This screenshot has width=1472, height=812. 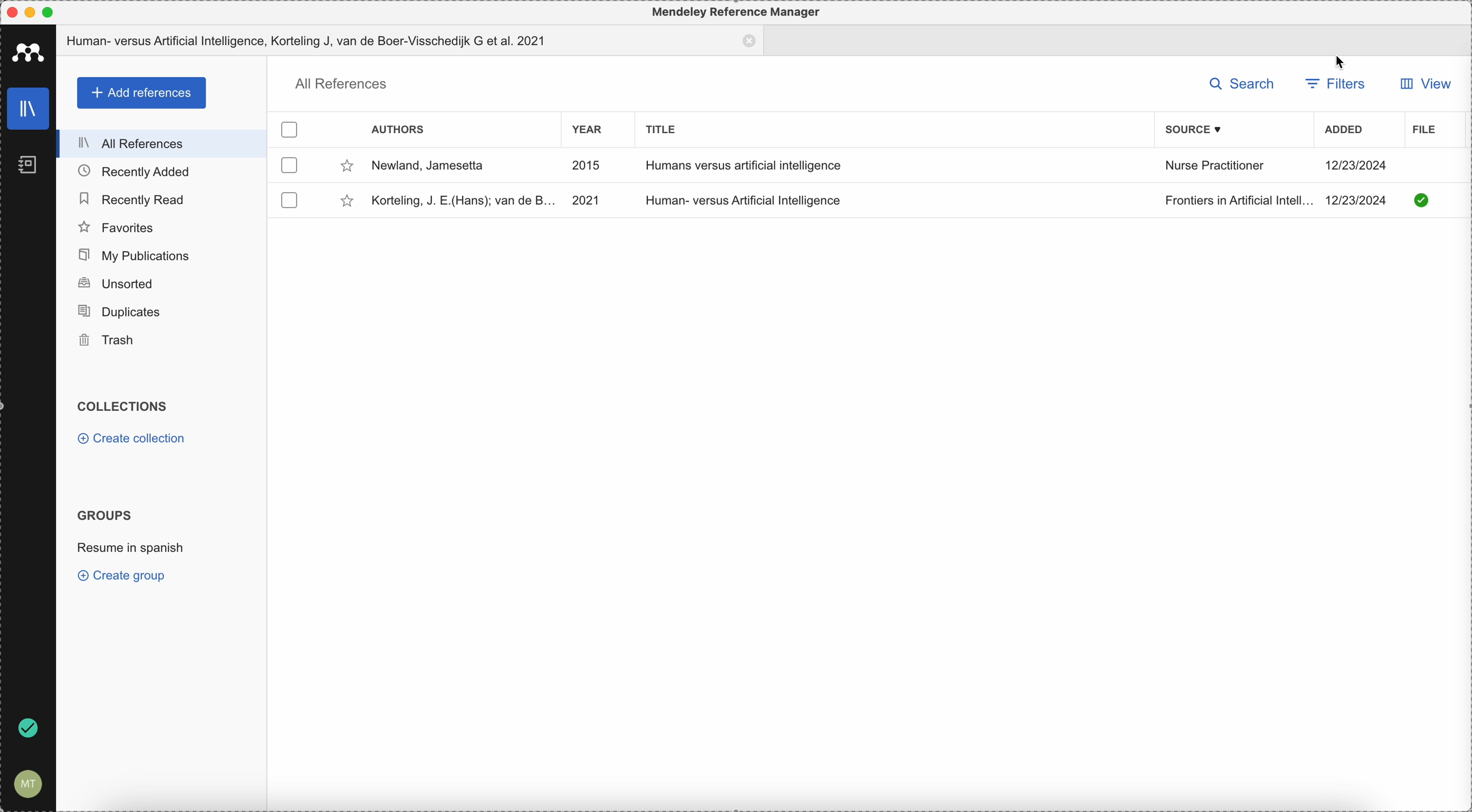 I want to click on checkbox, so click(x=290, y=165).